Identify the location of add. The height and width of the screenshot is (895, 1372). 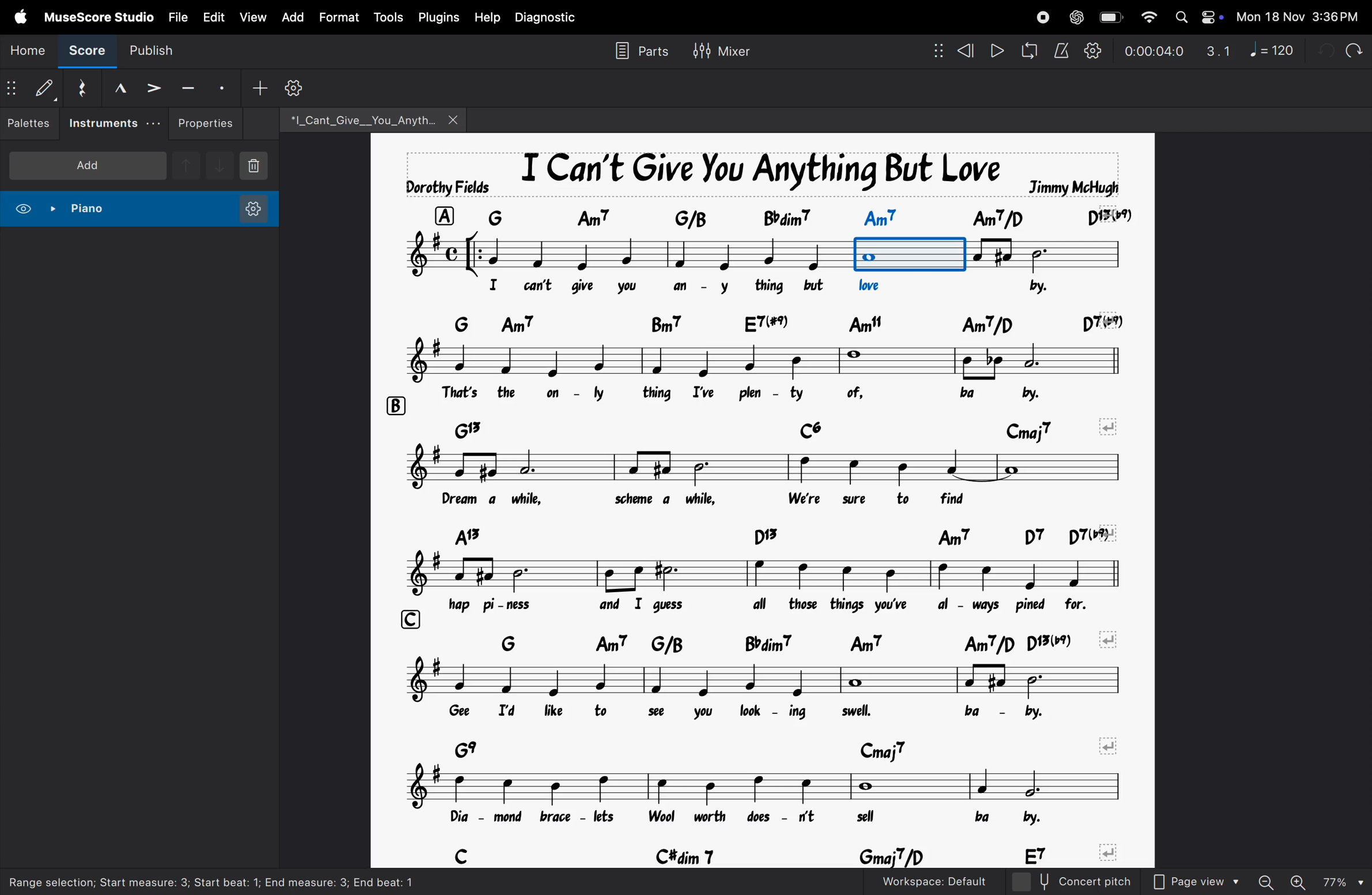
(293, 18).